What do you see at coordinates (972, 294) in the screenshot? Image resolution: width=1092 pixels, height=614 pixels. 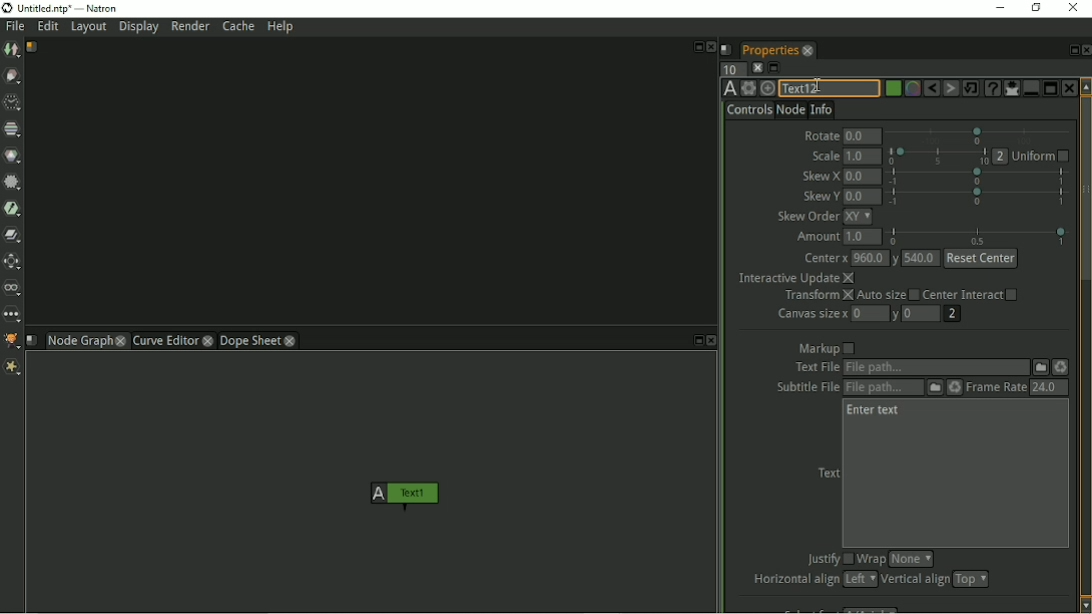 I see `Center Interact` at bounding box center [972, 294].